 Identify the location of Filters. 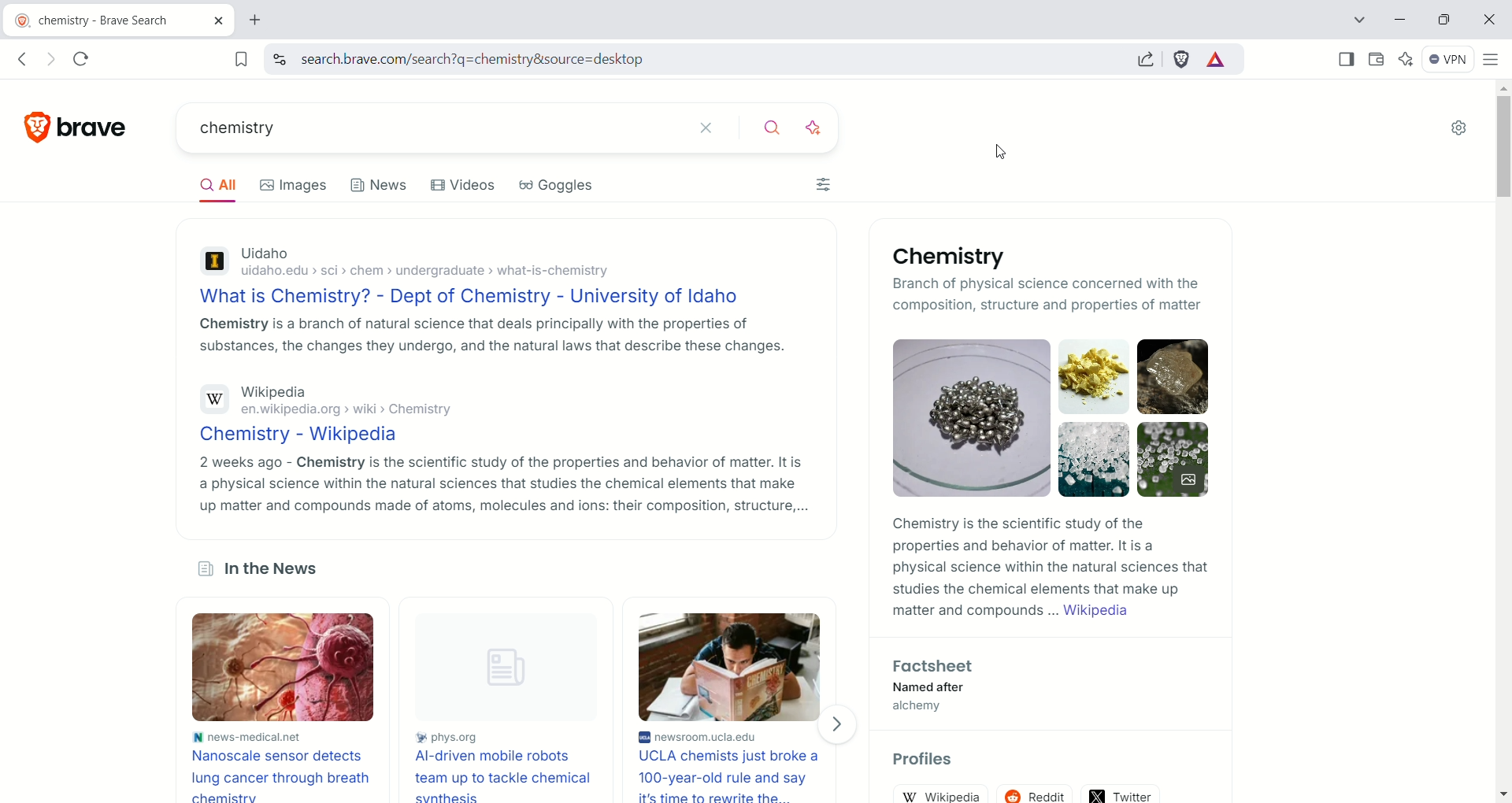
(828, 182).